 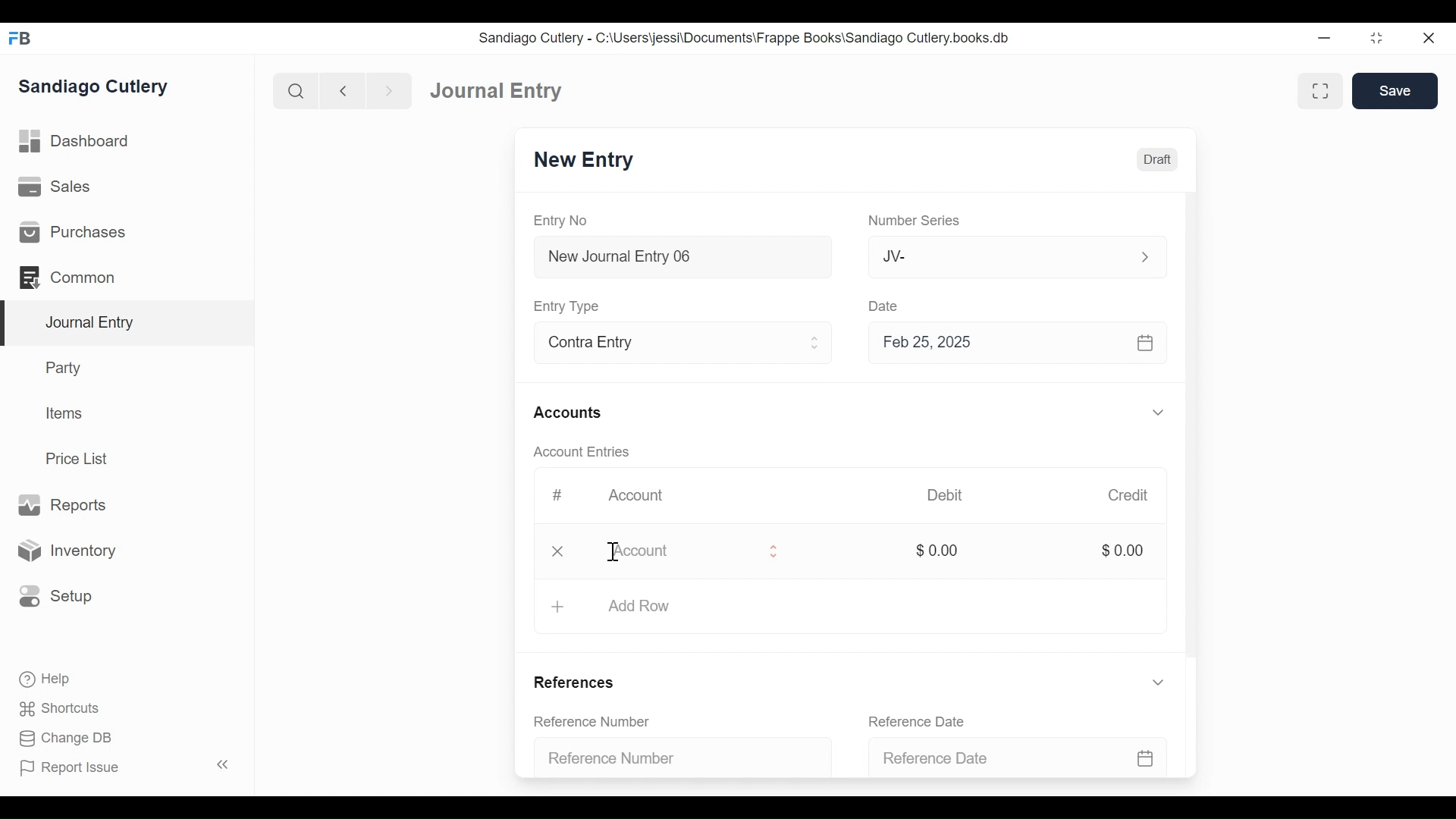 What do you see at coordinates (646, 500) in the screenshot?
I see `Account` at bounding box center [646, 500].